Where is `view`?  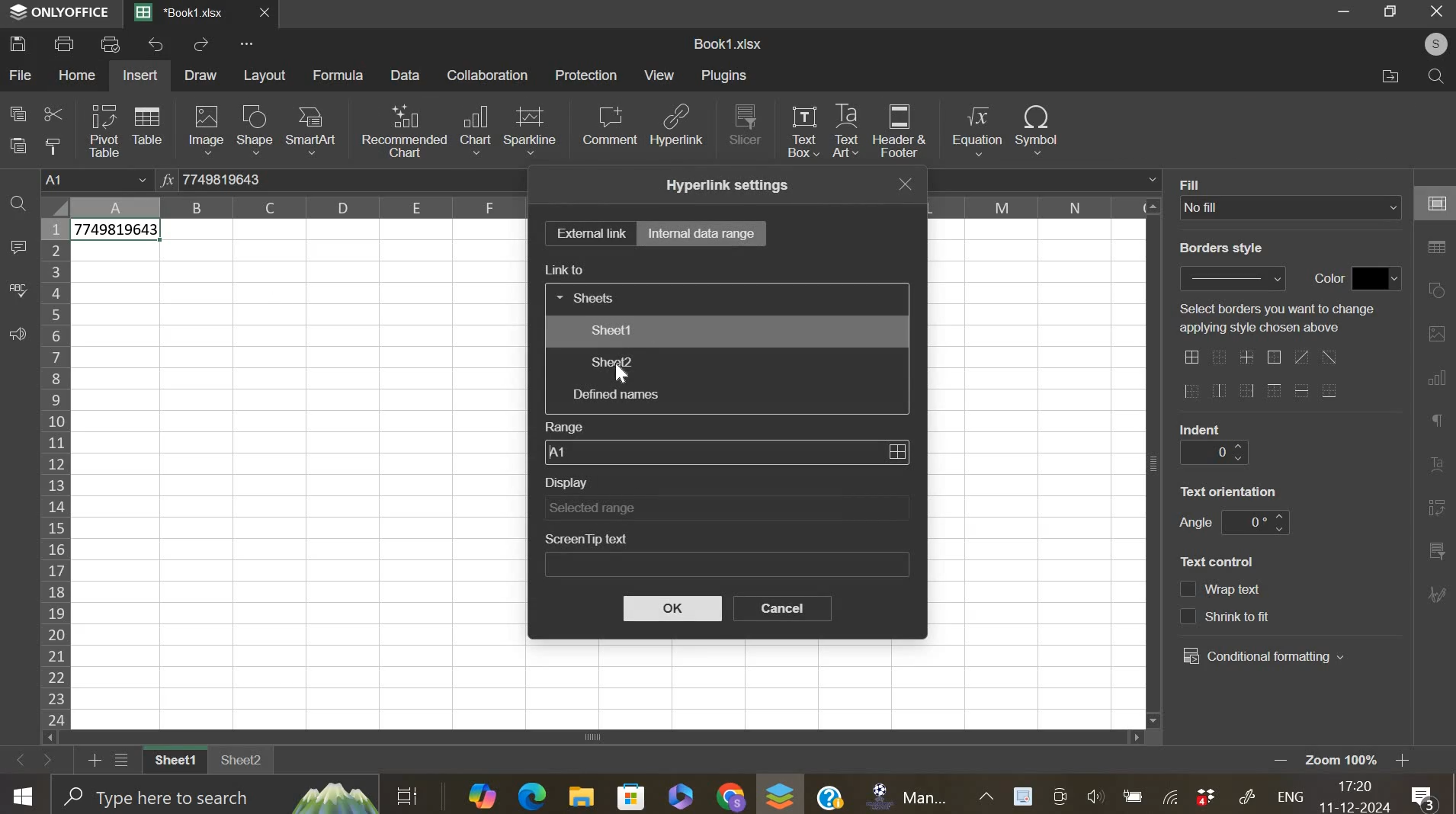 view is located at coordinates (660, 75).